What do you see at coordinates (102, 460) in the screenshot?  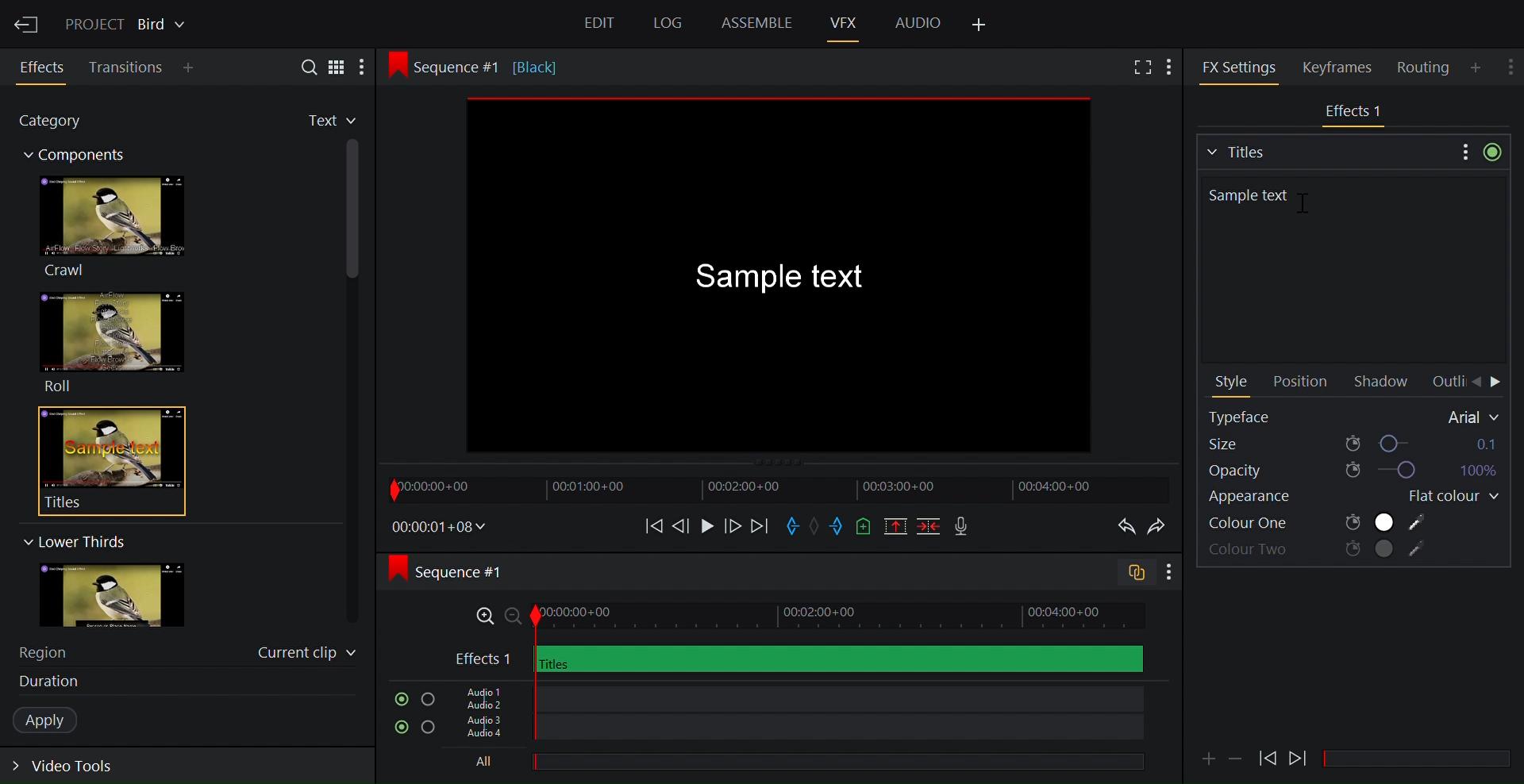 I see `Titles` at bounding box center [102, 460].